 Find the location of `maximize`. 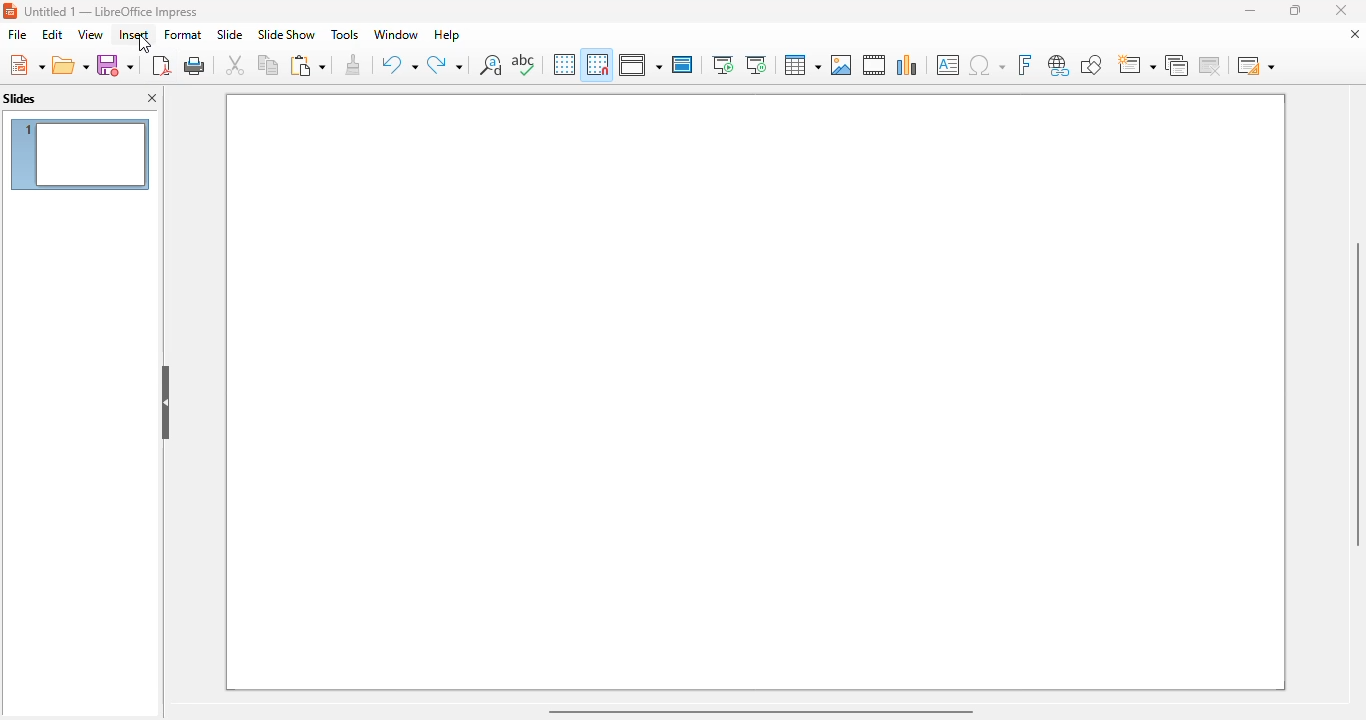

maximize is located at coordinates (1293, 10).